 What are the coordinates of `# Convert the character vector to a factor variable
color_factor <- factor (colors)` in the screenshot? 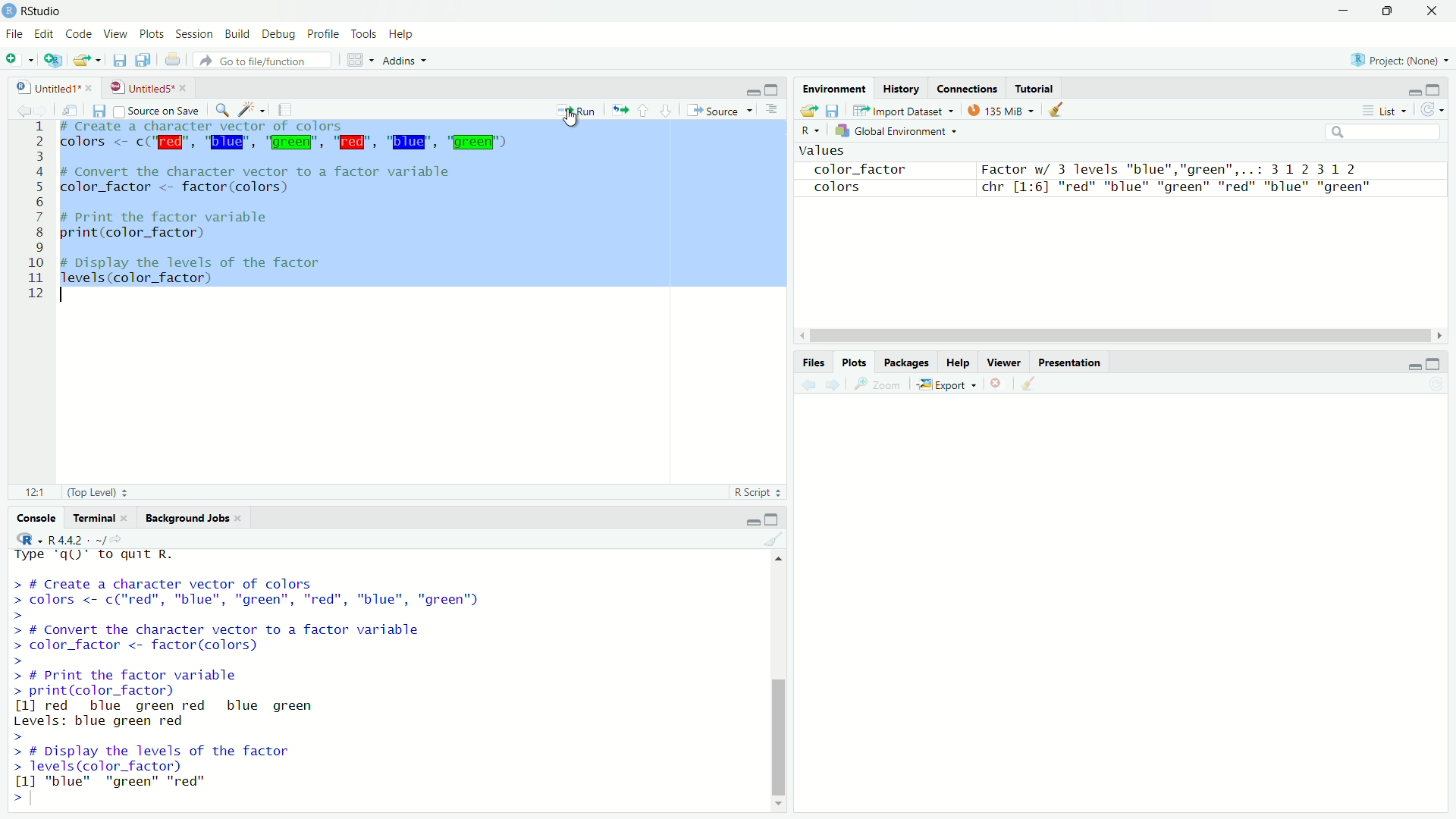 It's located at (271, 180).